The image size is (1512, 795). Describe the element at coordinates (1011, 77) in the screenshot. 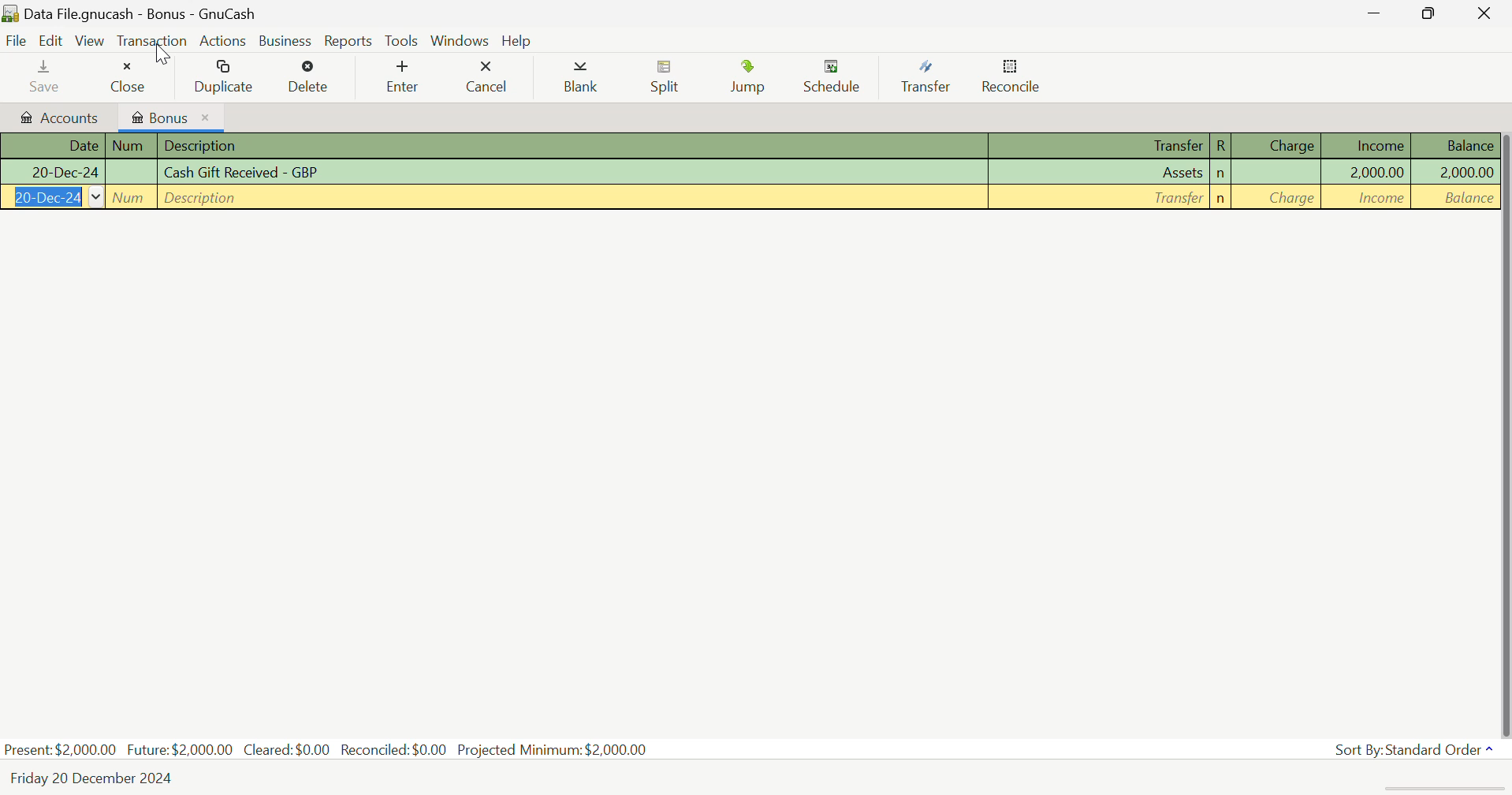

I see `Reconcile` at that location.